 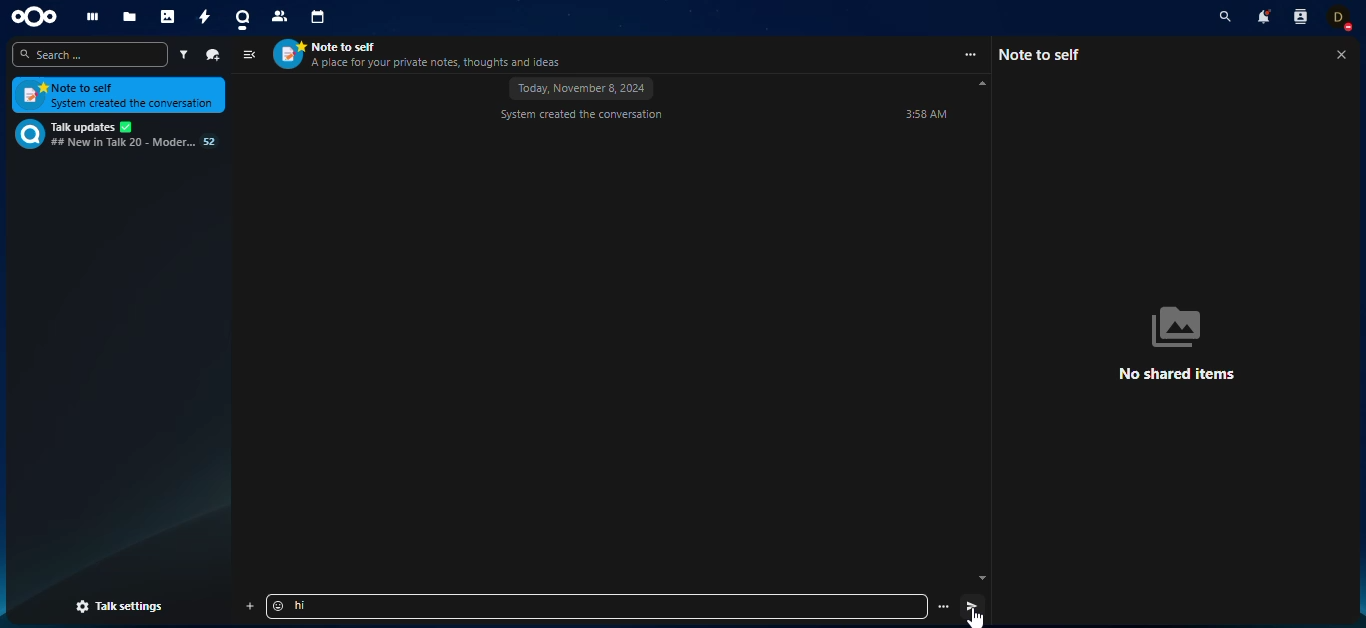 I want to click on nextcloud, so click(x=40, y=17).